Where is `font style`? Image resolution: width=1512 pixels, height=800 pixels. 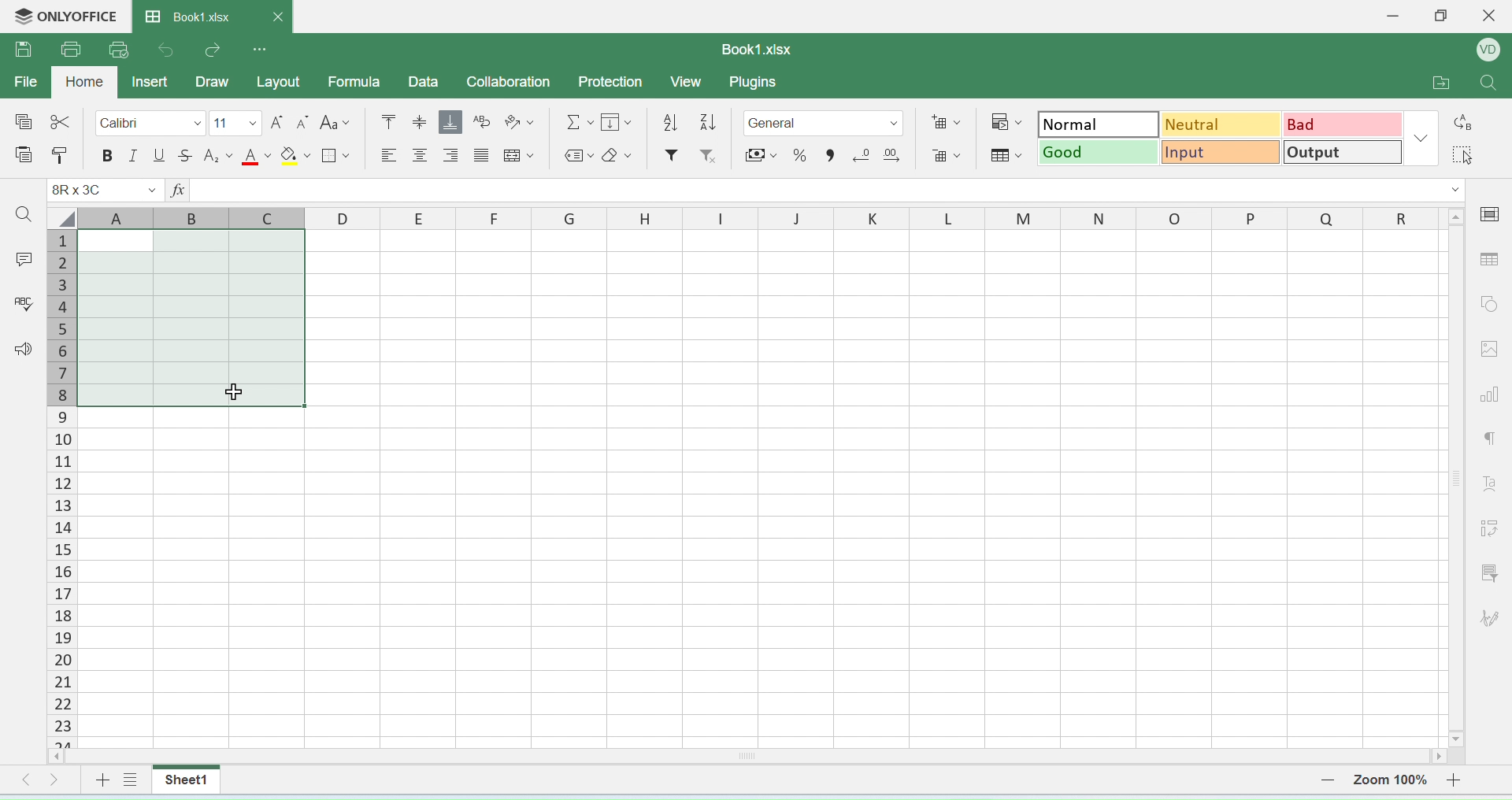 font style is located at coordinates (1488, 487).